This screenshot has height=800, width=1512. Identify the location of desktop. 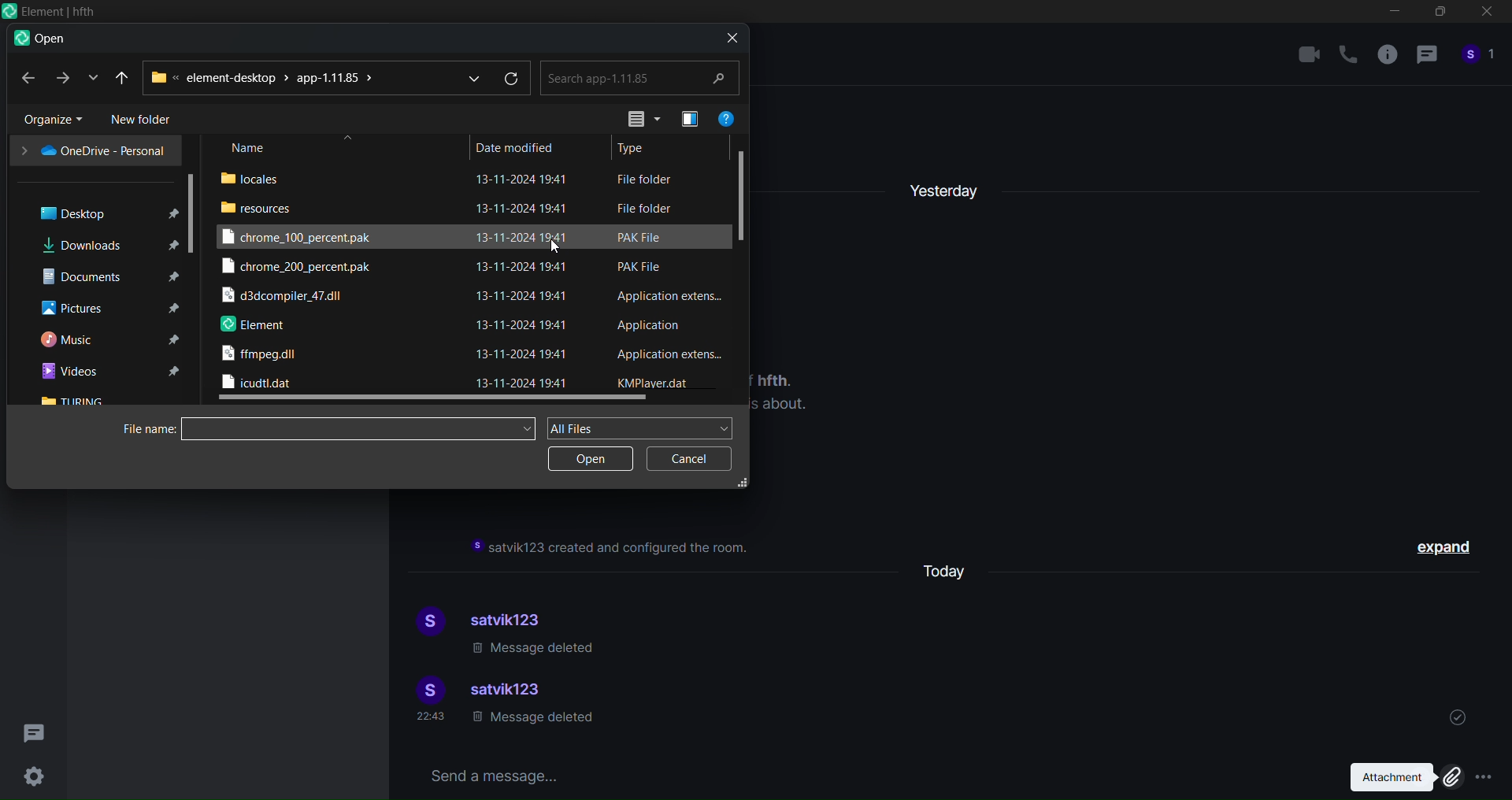
(98, 212).